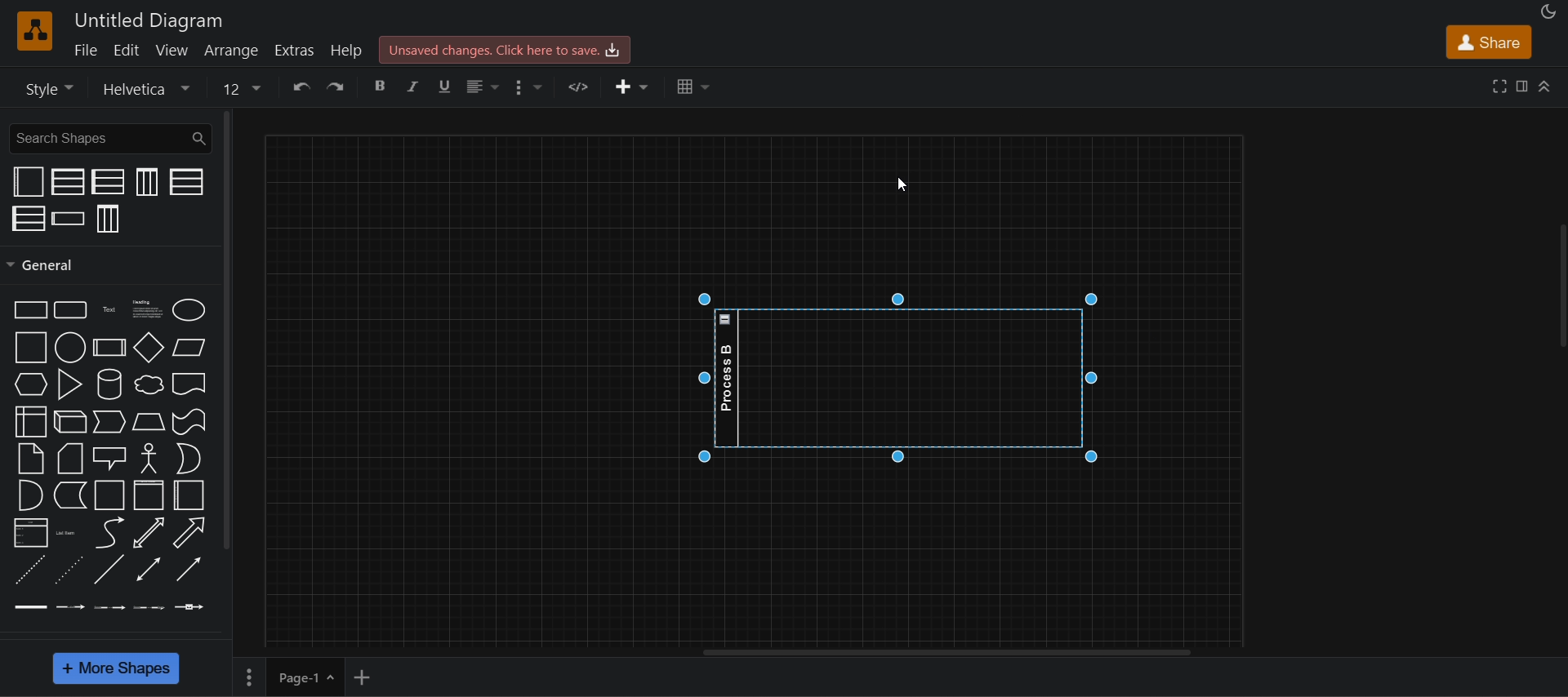 The image size is (1568, 697). What do you see at coordinates (305, 677) in the screenshot?
I see `page 1` at bounding box center [305, 677].